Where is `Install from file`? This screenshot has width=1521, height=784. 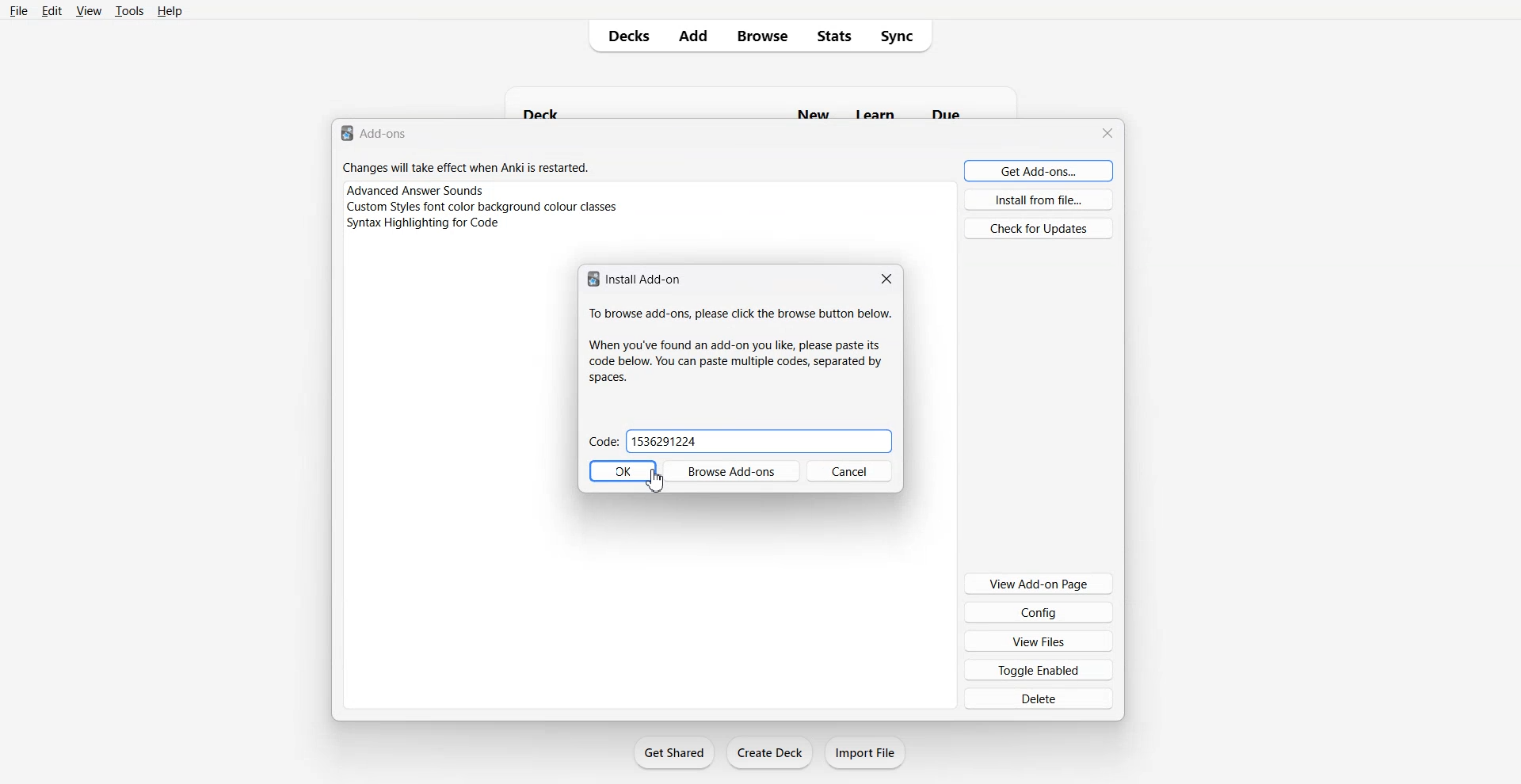 Install from file is located at coordinates (1039, 200).